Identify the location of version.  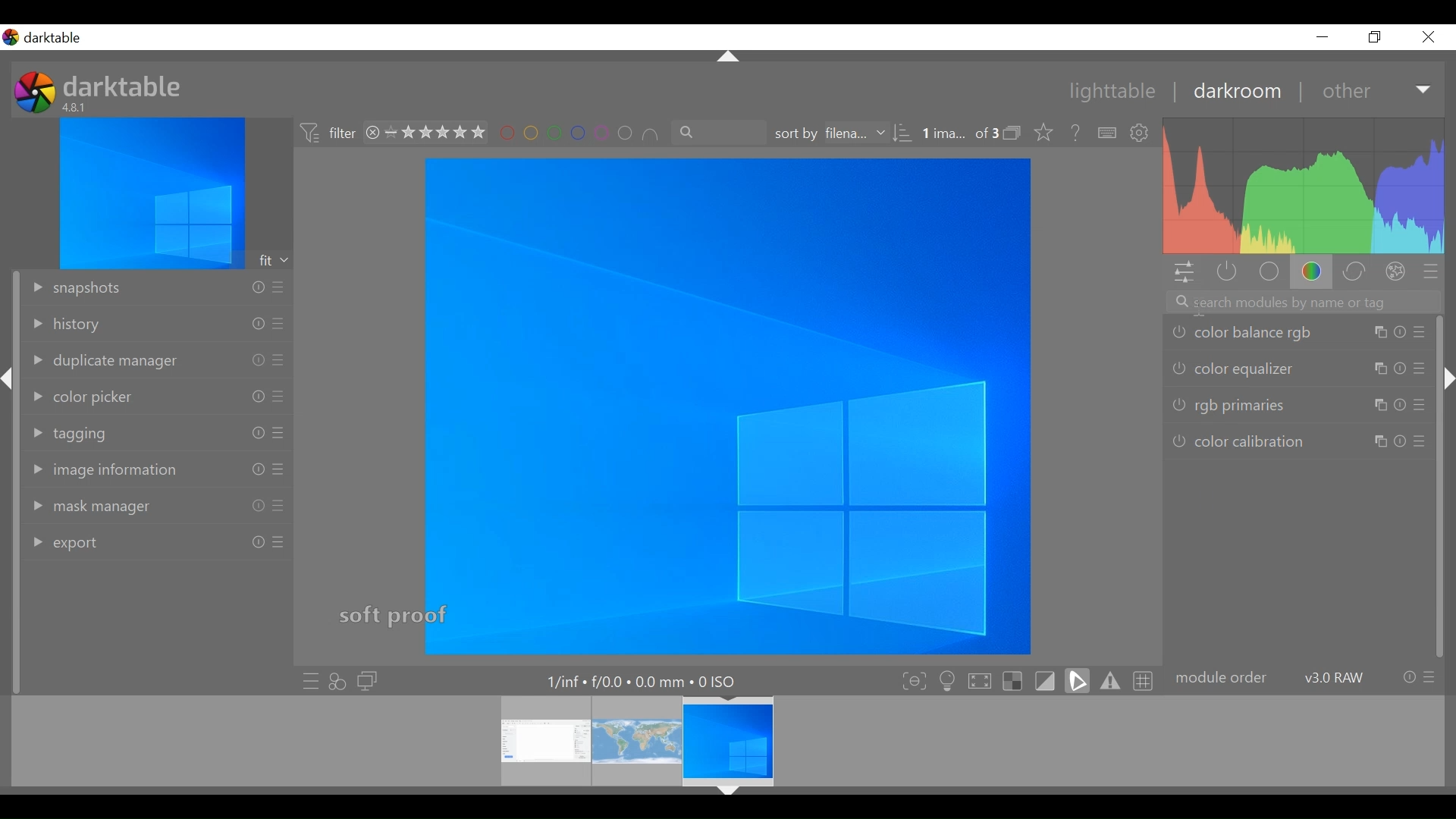
(77, 107).